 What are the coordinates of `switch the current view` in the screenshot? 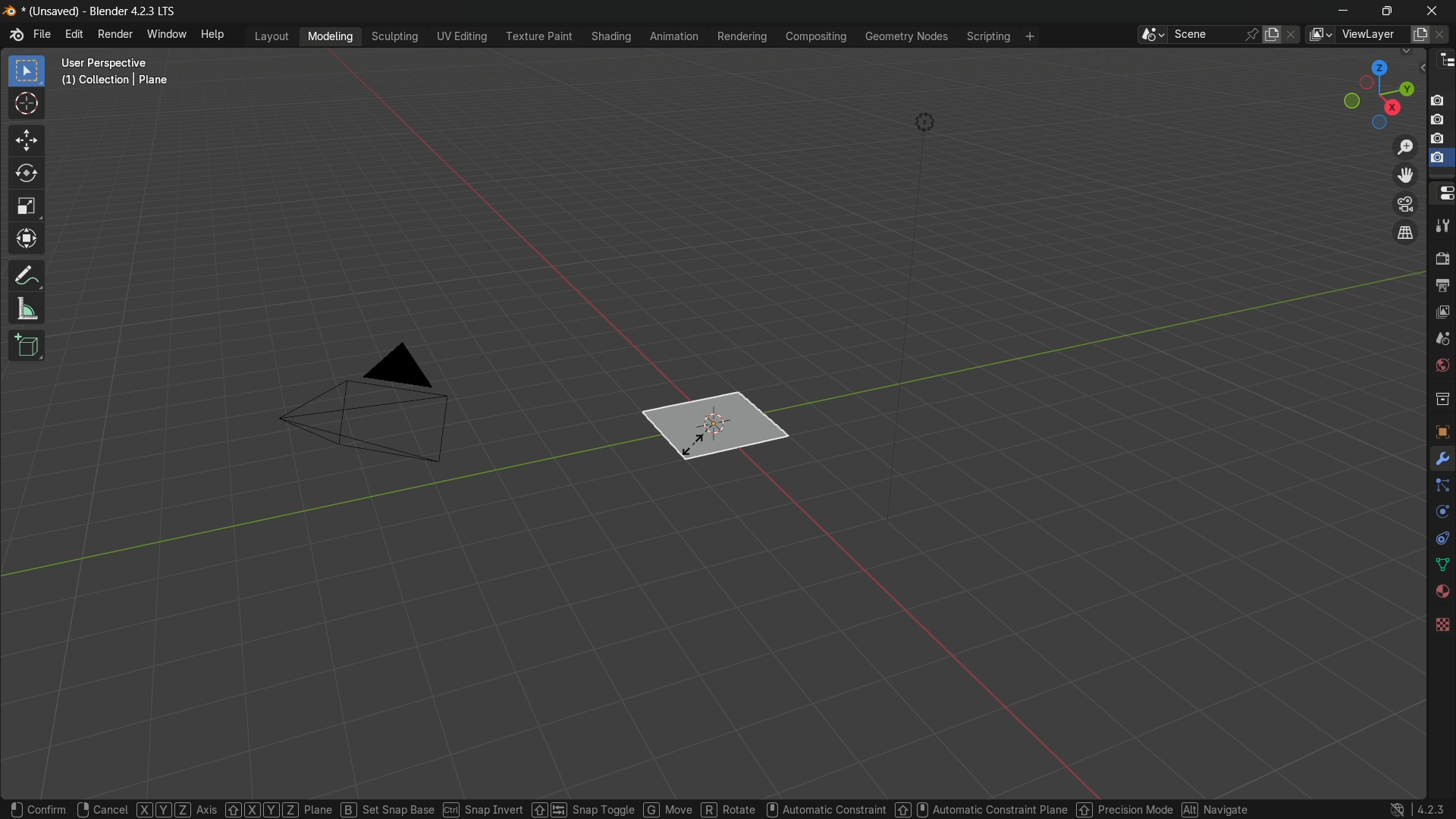 It's located at (1407, 232).